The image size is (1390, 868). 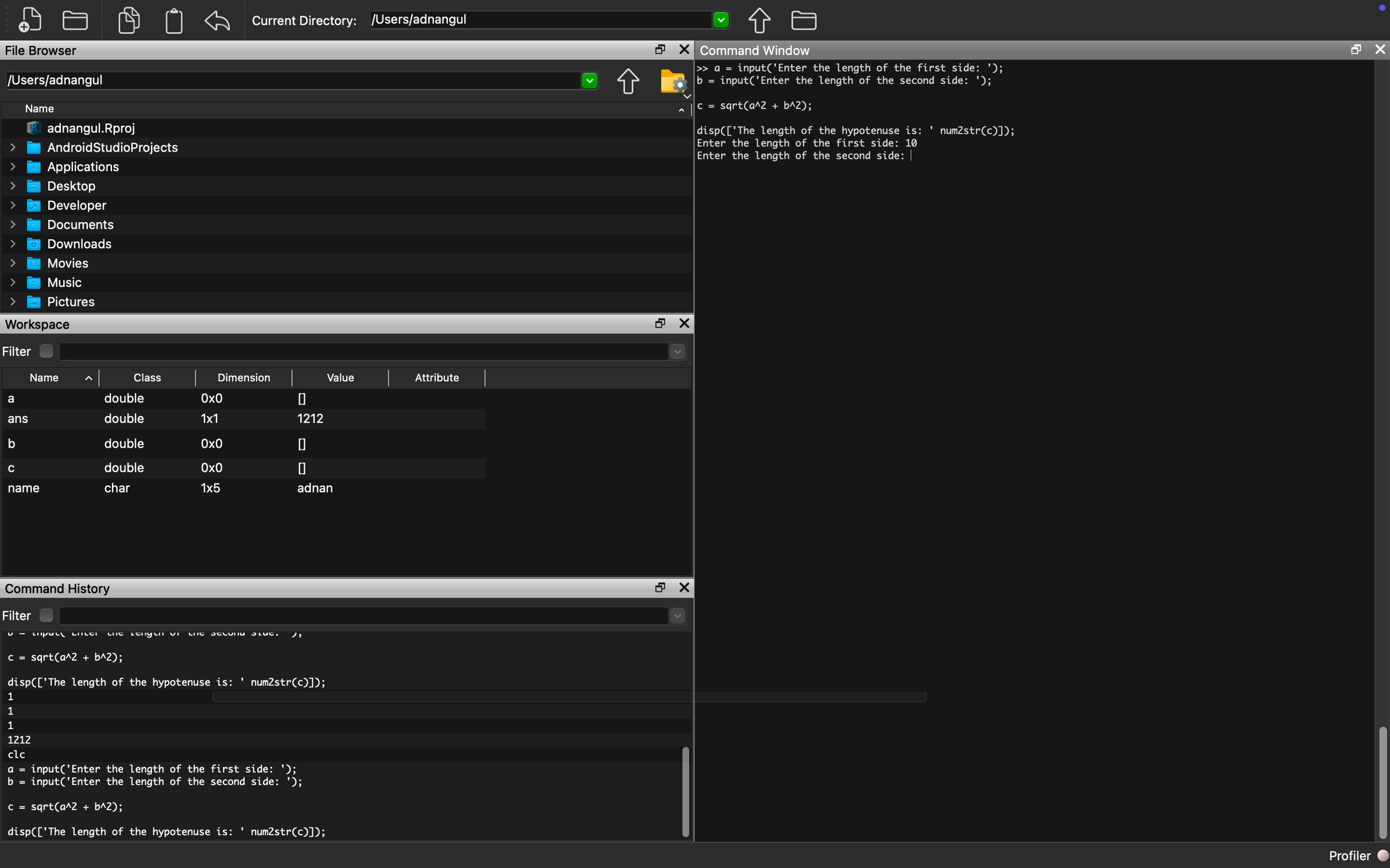 What do you see at coordinates (551, 20) in the screenshot?
I see `/USers/adnangul` at bounding box center [551, 20].